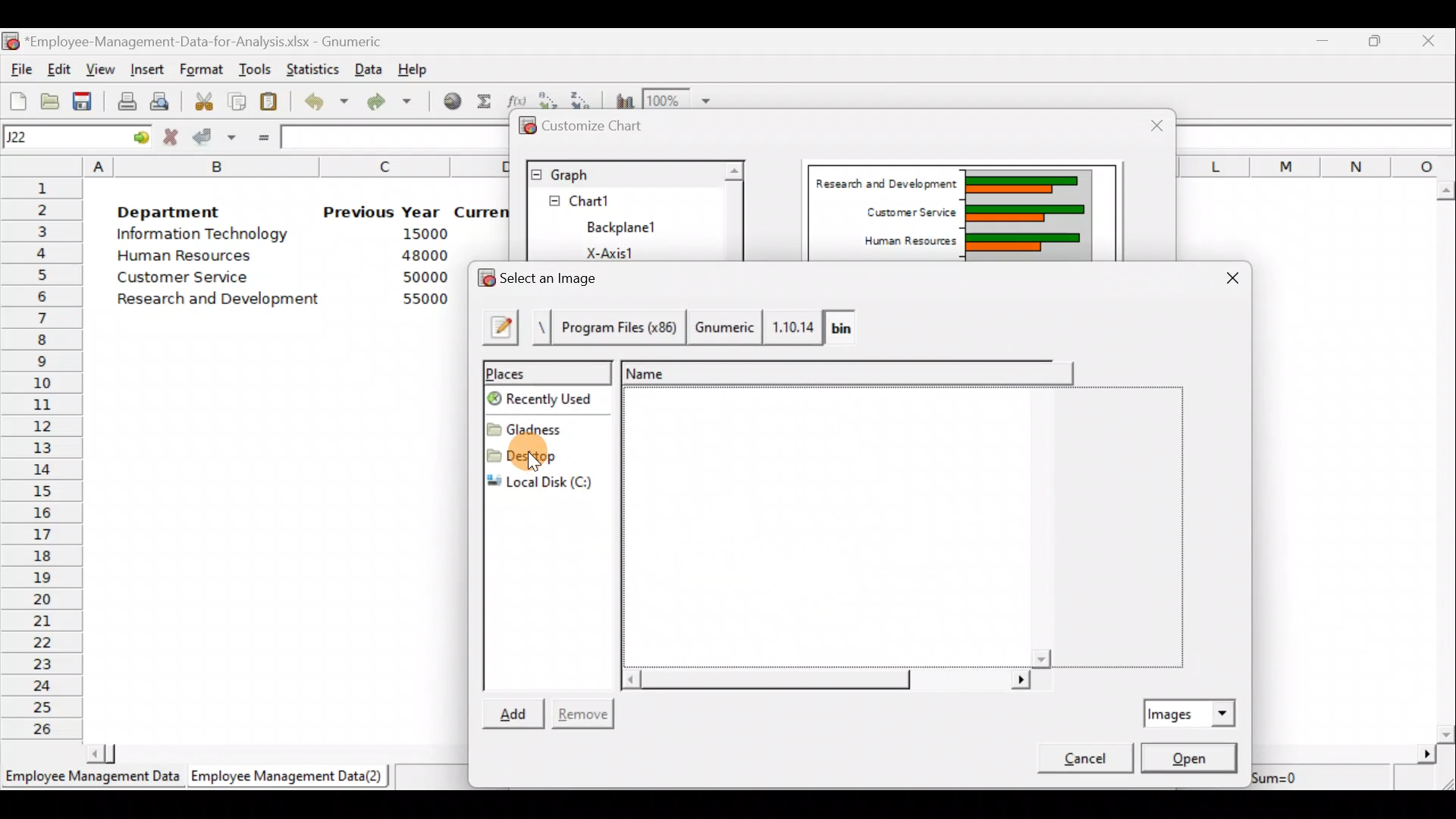  What do you see at coordinates (1228, 279) in the screenshot?
I see `Close` at bounding box center [1228, 279].